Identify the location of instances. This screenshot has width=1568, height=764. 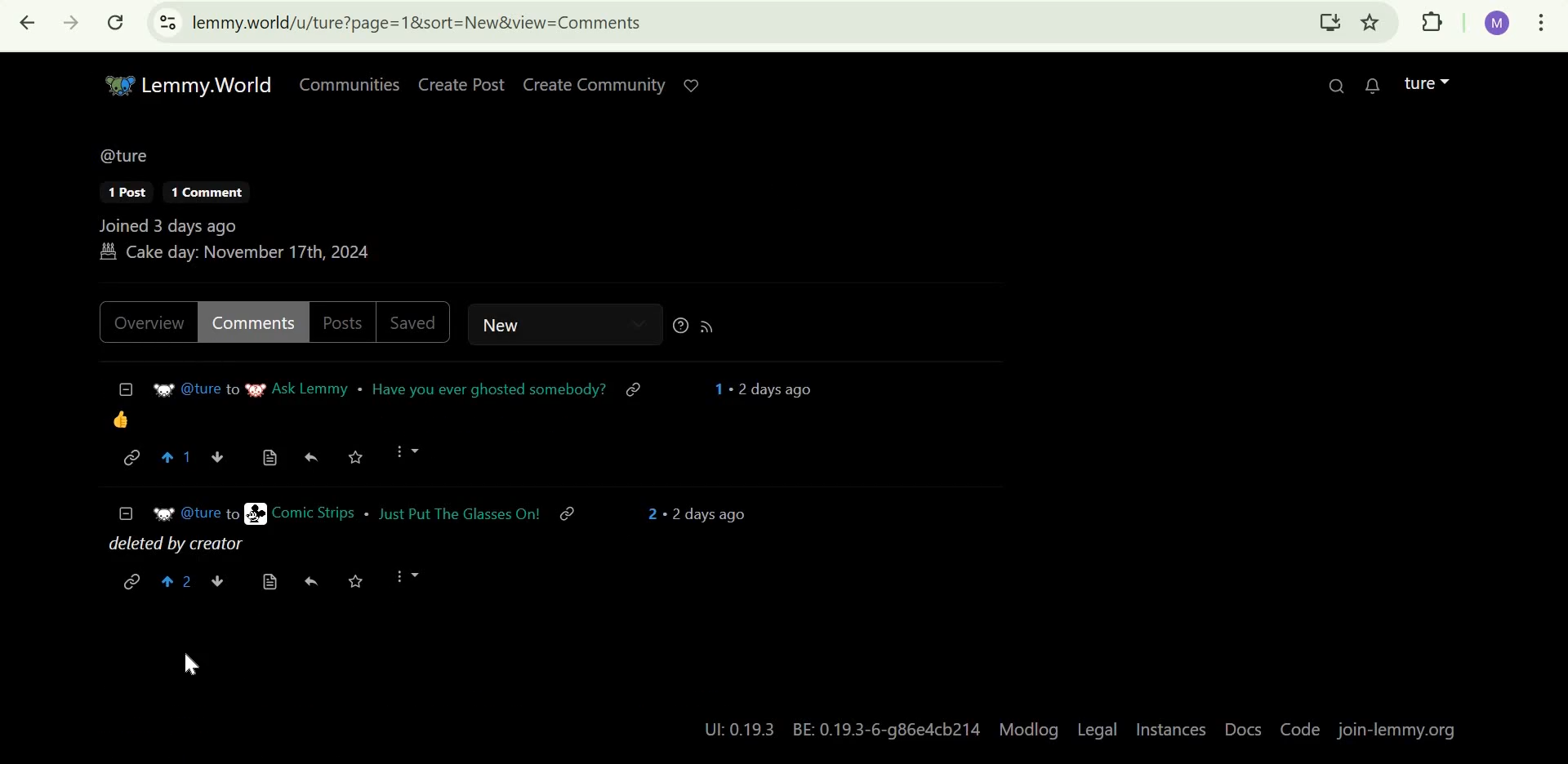
(1170, 728).